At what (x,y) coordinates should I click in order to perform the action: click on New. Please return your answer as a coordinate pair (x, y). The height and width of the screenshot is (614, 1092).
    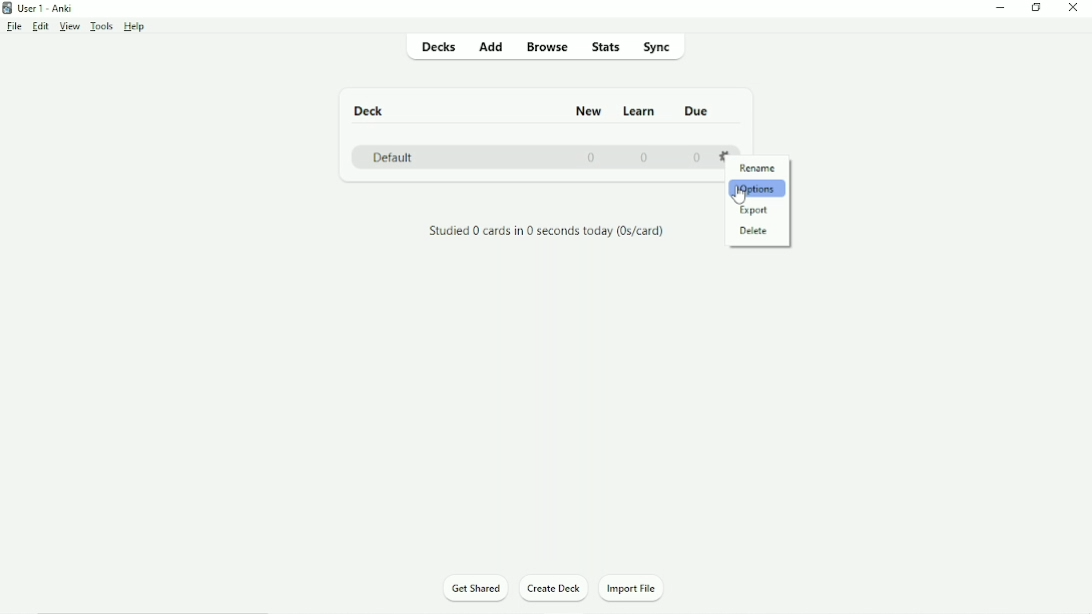
    Looking at the image, I should click on (590, 112).